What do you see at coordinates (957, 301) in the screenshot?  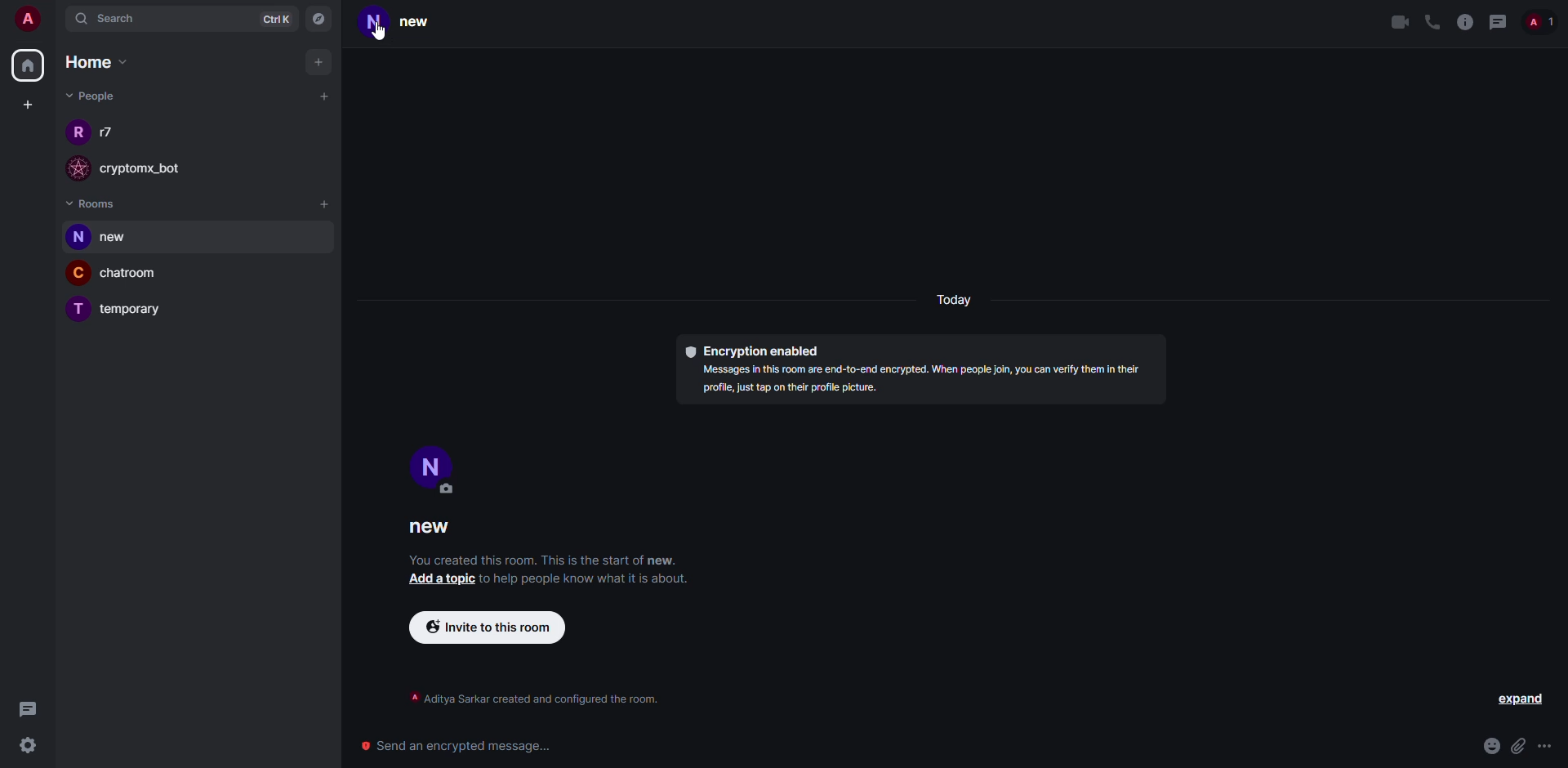 I see `day` at bounding box center [957, 301].